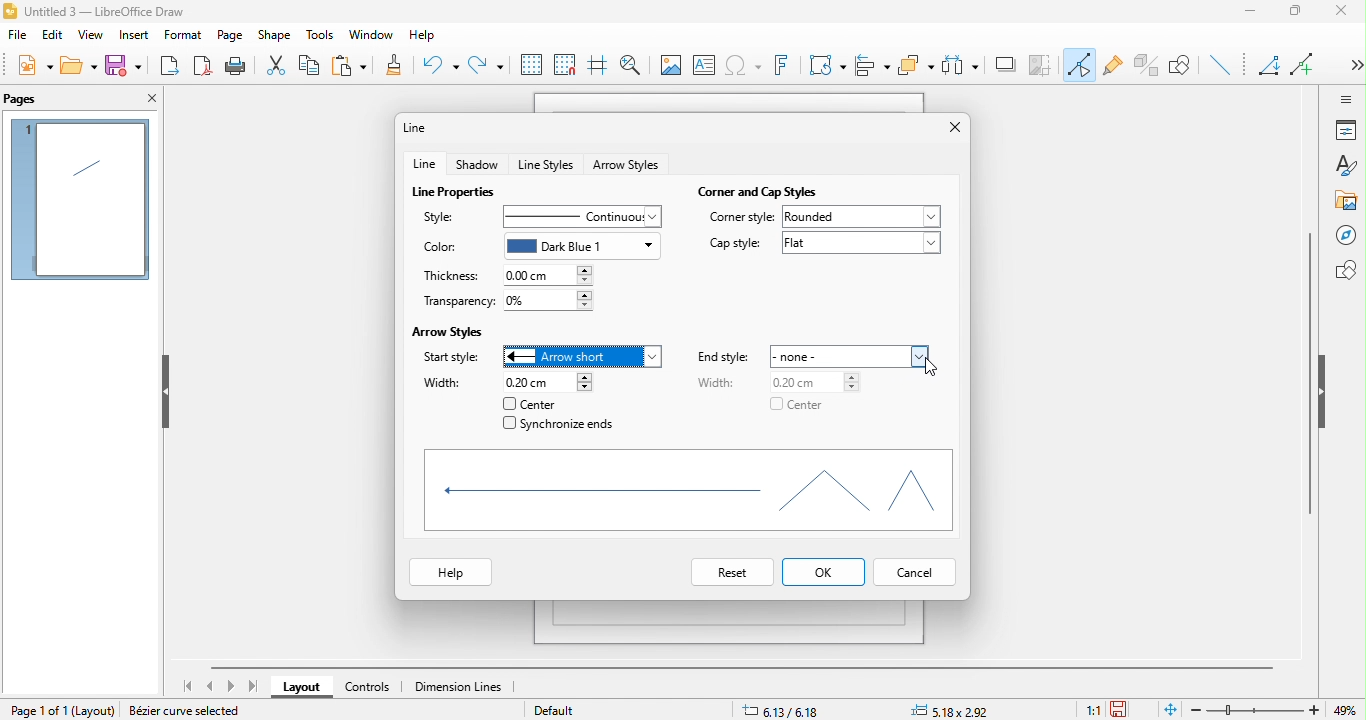 This screenshot has width=1366, height=720. What do you see at coordinates (1345, 270) in the screenshot?
I see `shapes` at bounding box center [1345, 270].